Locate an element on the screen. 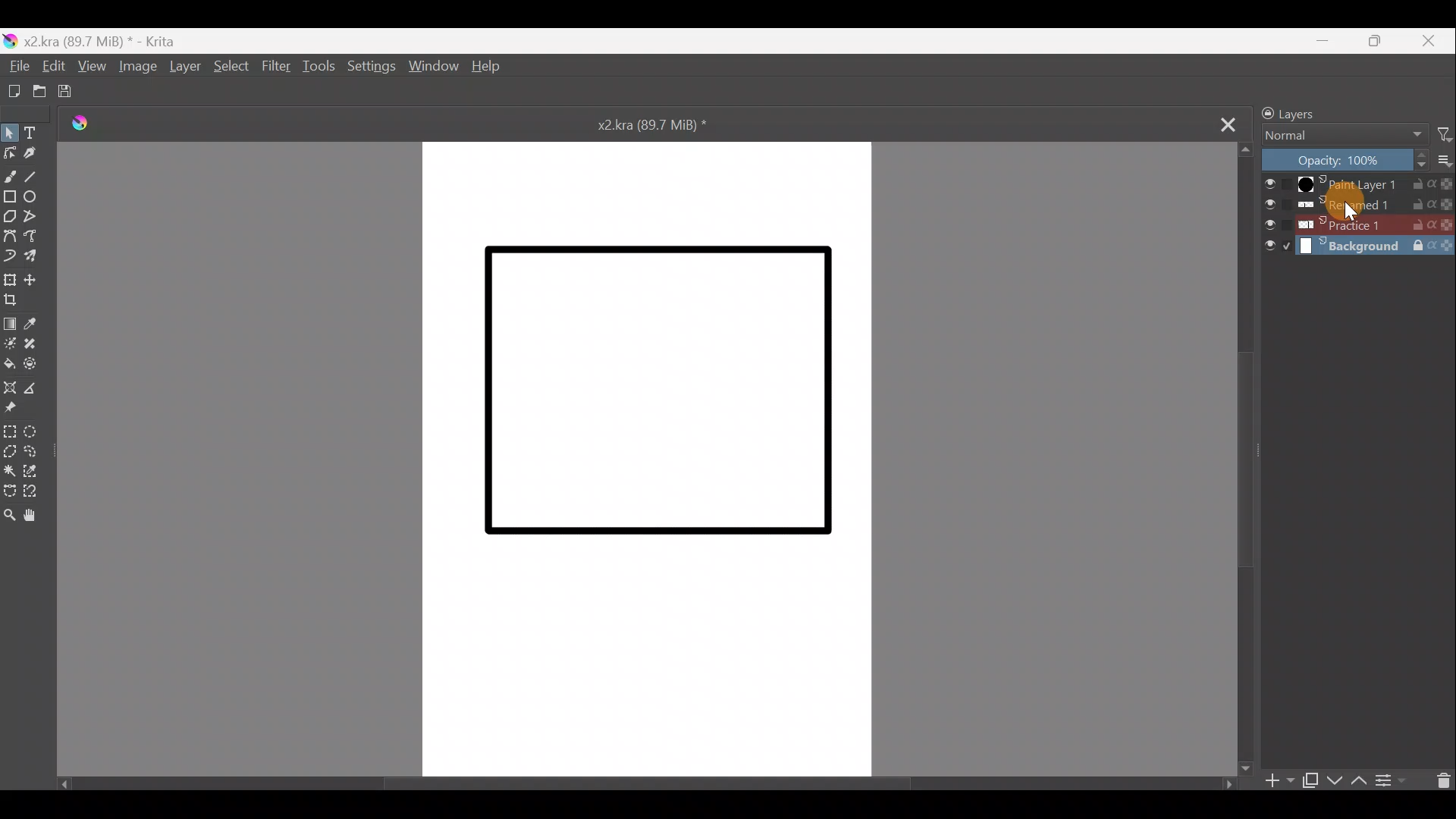 This screenshot has height=819, width=1456. Select shapes tool is located at coordinates (9, 132).